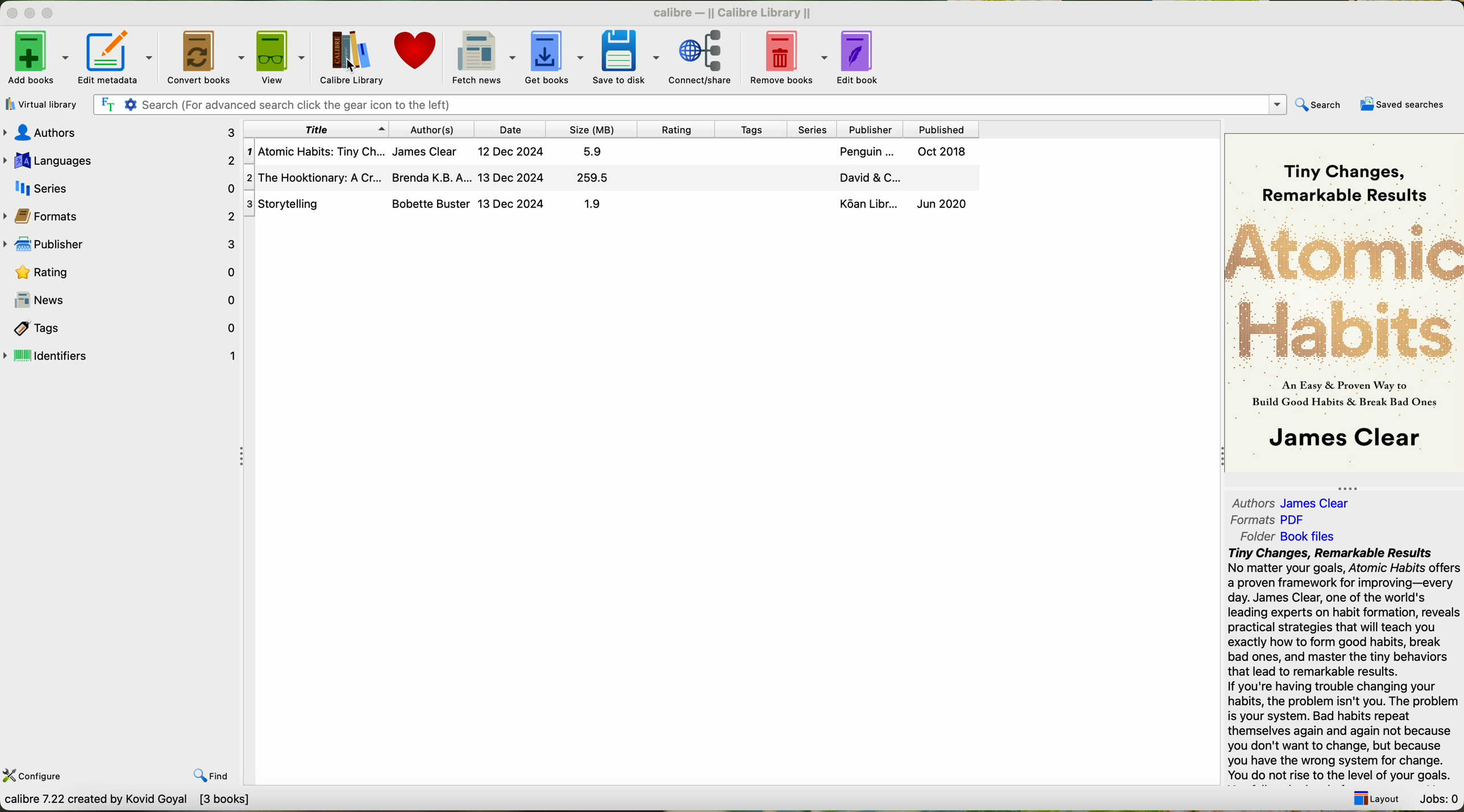  I want to click on formats , so click(1253, 520).